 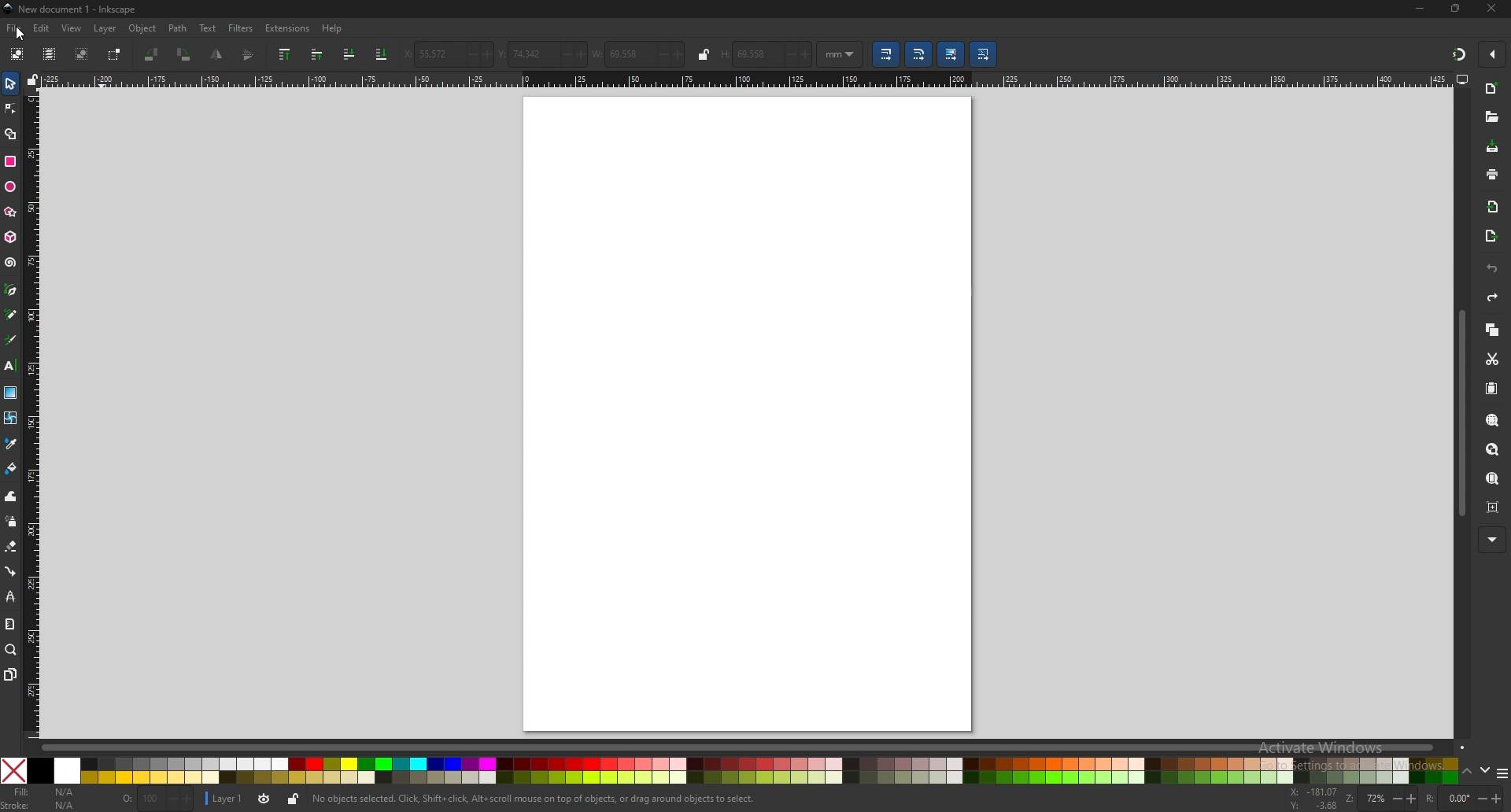 I want to click on polygon, so click(x=10, y=212).